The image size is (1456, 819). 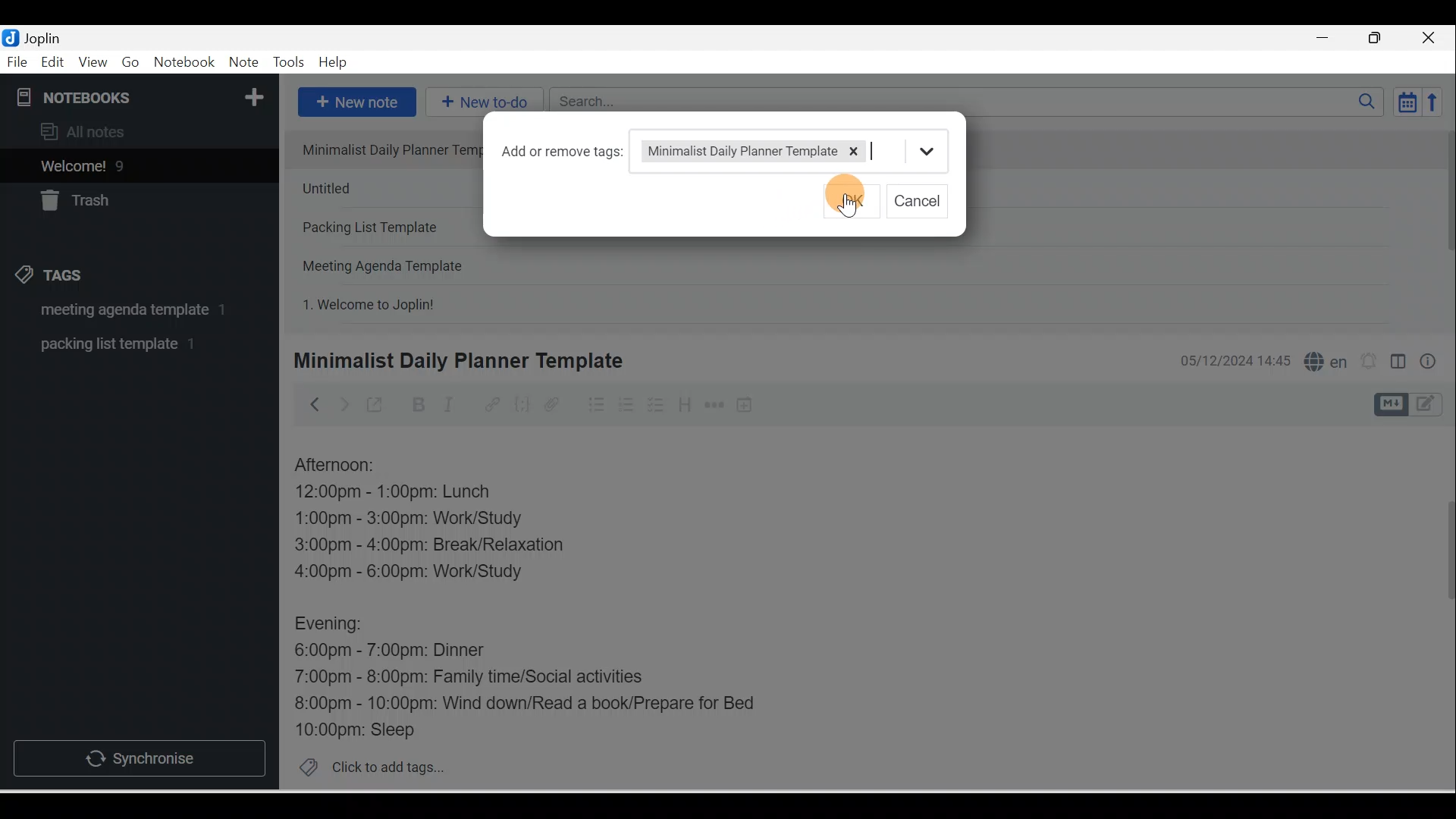 I want to click on Notebooks, so click(x=143, y=94).